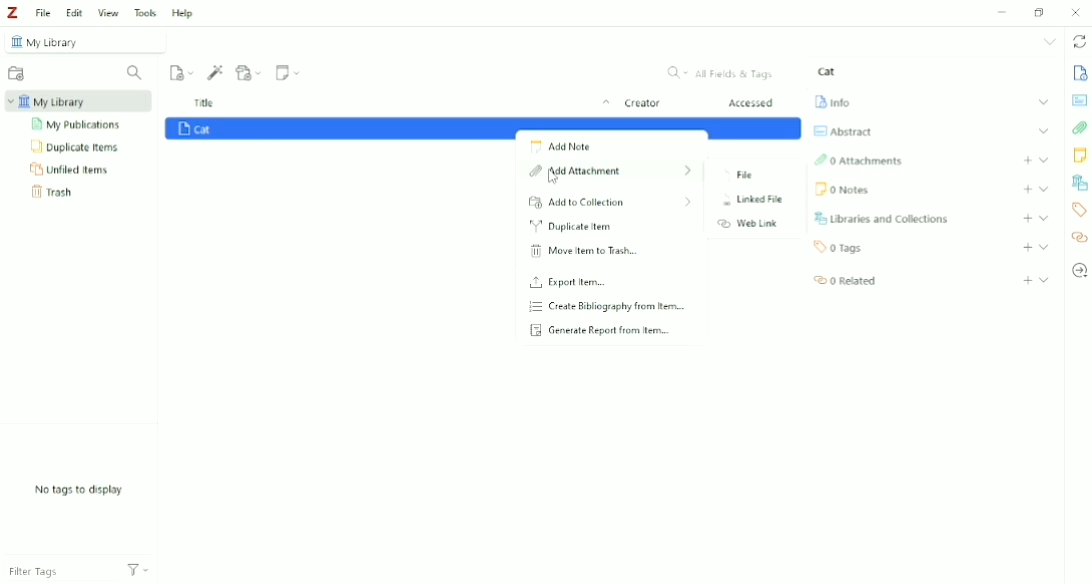 The width and height of the screenshot is (1092, 584). Describe the element at coordinates (1044, 247) in the screenshot. I see `Expand section` at that location.